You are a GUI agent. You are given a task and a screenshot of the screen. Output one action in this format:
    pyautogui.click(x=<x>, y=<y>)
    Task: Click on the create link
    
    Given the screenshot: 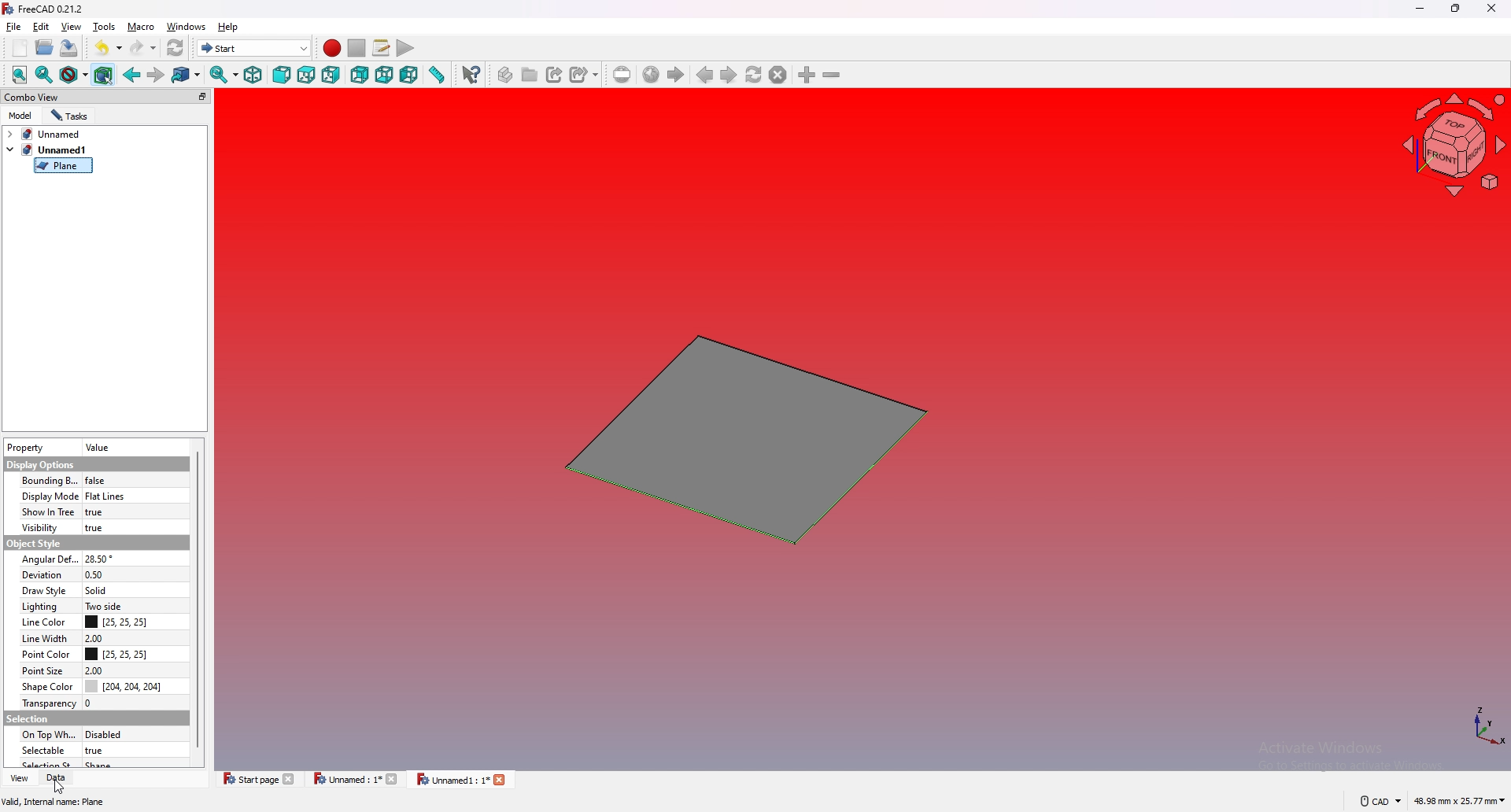 What is the action you would take?
    pyautogui.click(x=556, y=75)
    